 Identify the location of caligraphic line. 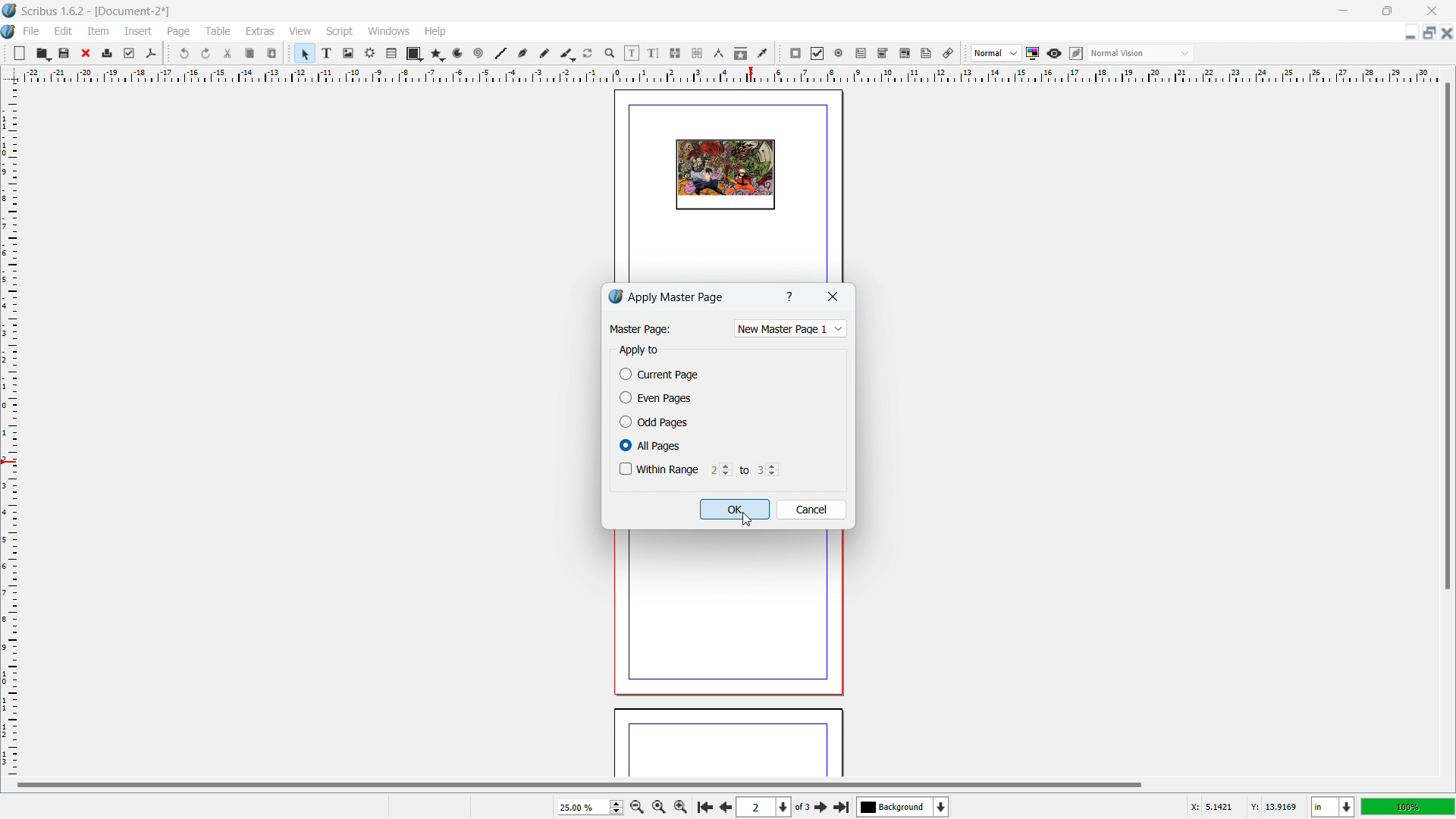
(567, 54).